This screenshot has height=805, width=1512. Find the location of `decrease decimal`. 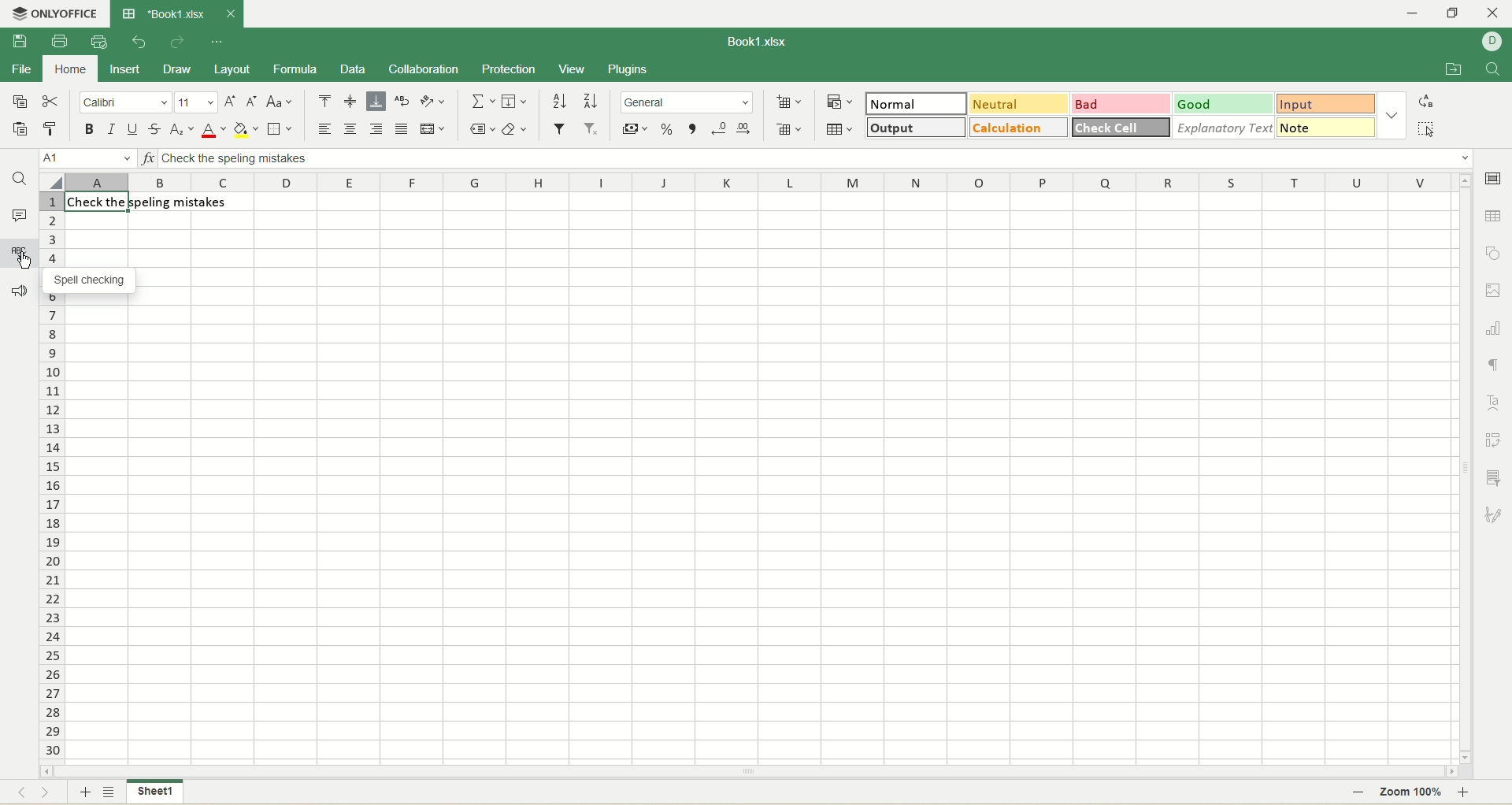

decrease decimal is located at coordinates (717, 128).